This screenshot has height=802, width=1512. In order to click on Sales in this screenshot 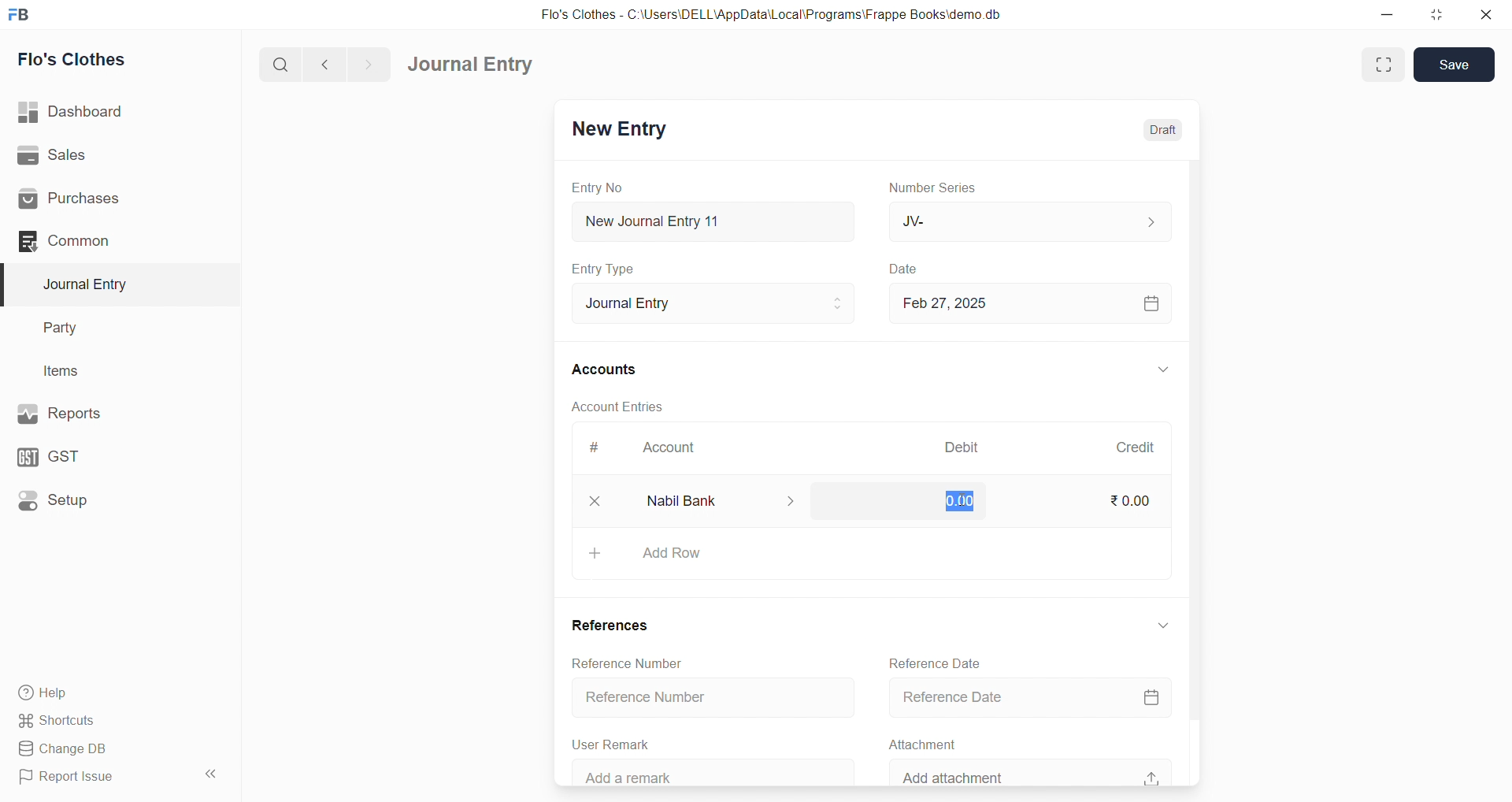, I will do `click(94, 154)`.